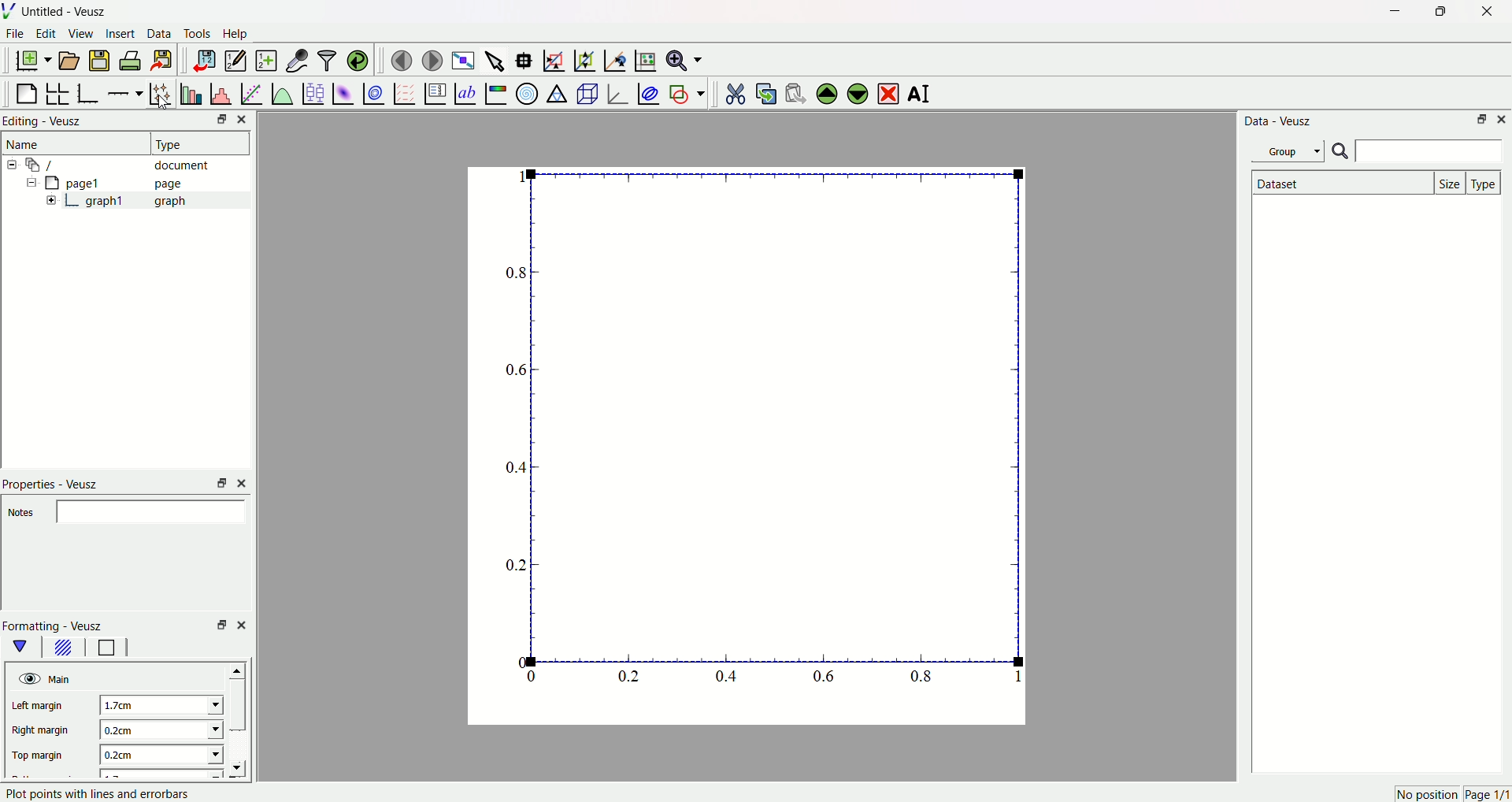 Image resolution: width=1512 pixels, height=802 pixels. I want to click on Formatting - Veusz, so click(61, 626).